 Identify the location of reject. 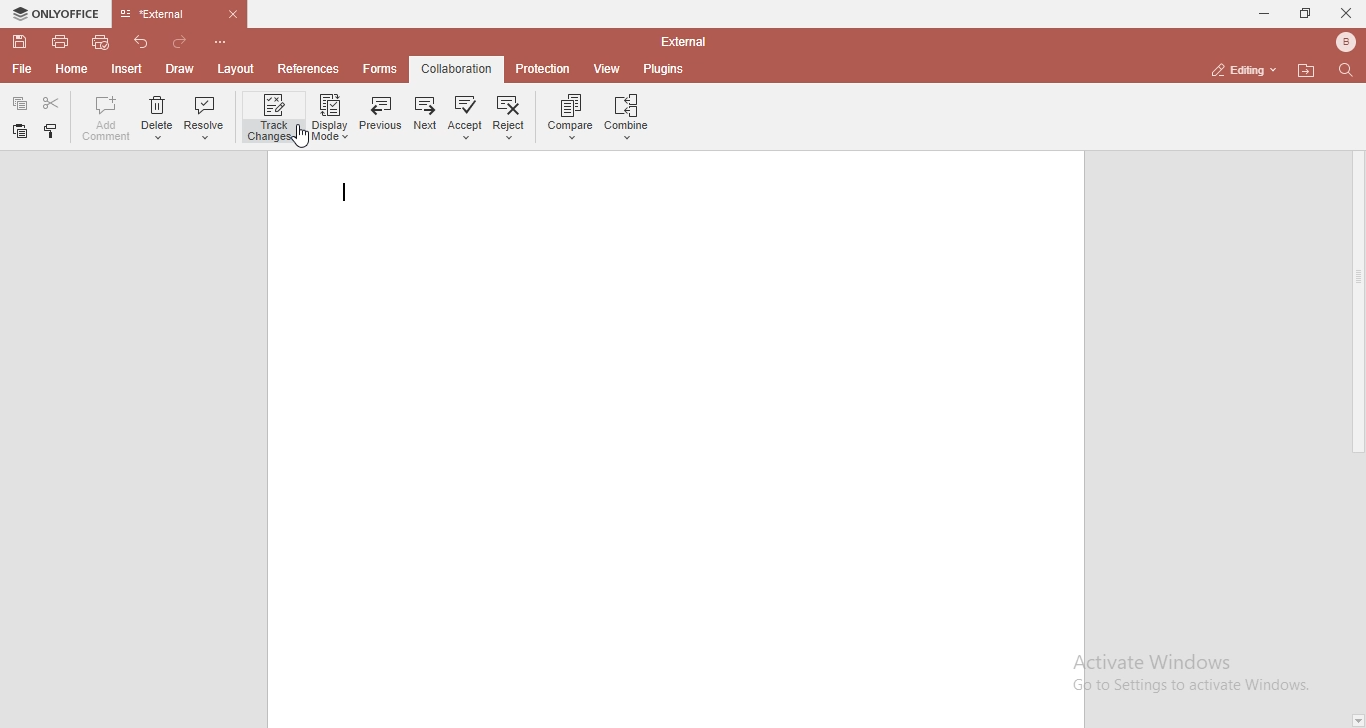
(511, 117).